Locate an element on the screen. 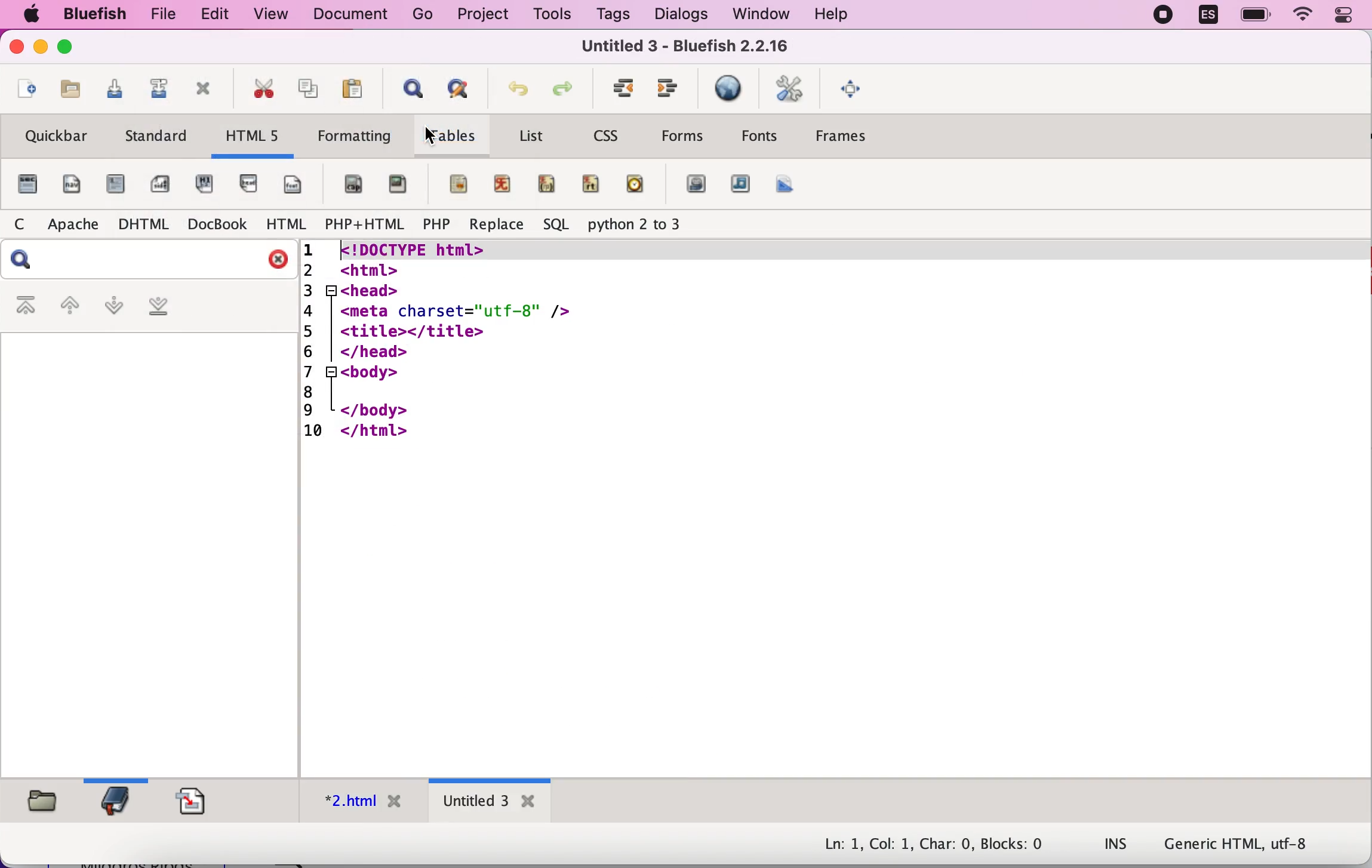  indent is located at coordinates (619, 88).